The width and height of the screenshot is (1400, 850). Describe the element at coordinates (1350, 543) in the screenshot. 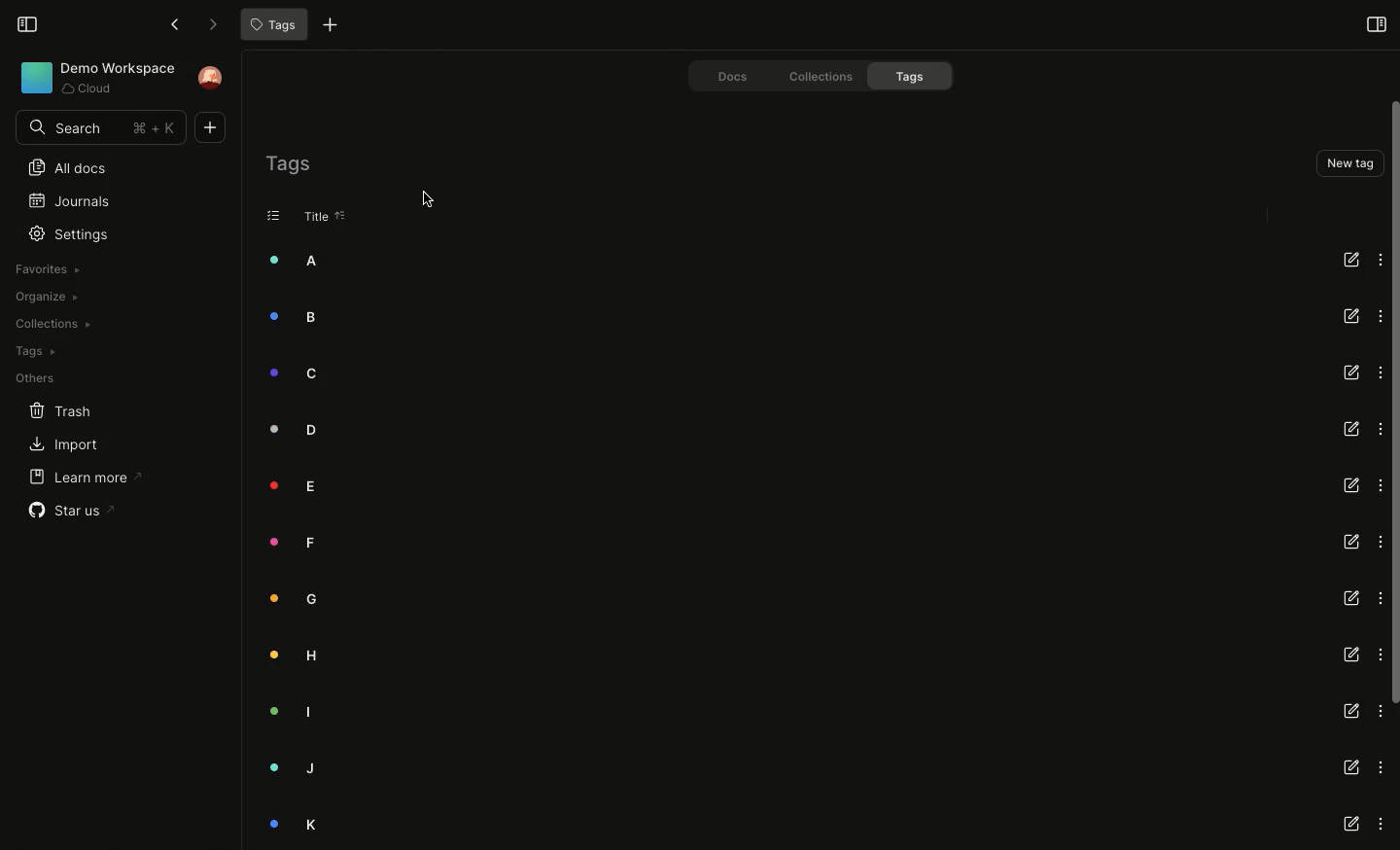

I see `Rename` at that location.